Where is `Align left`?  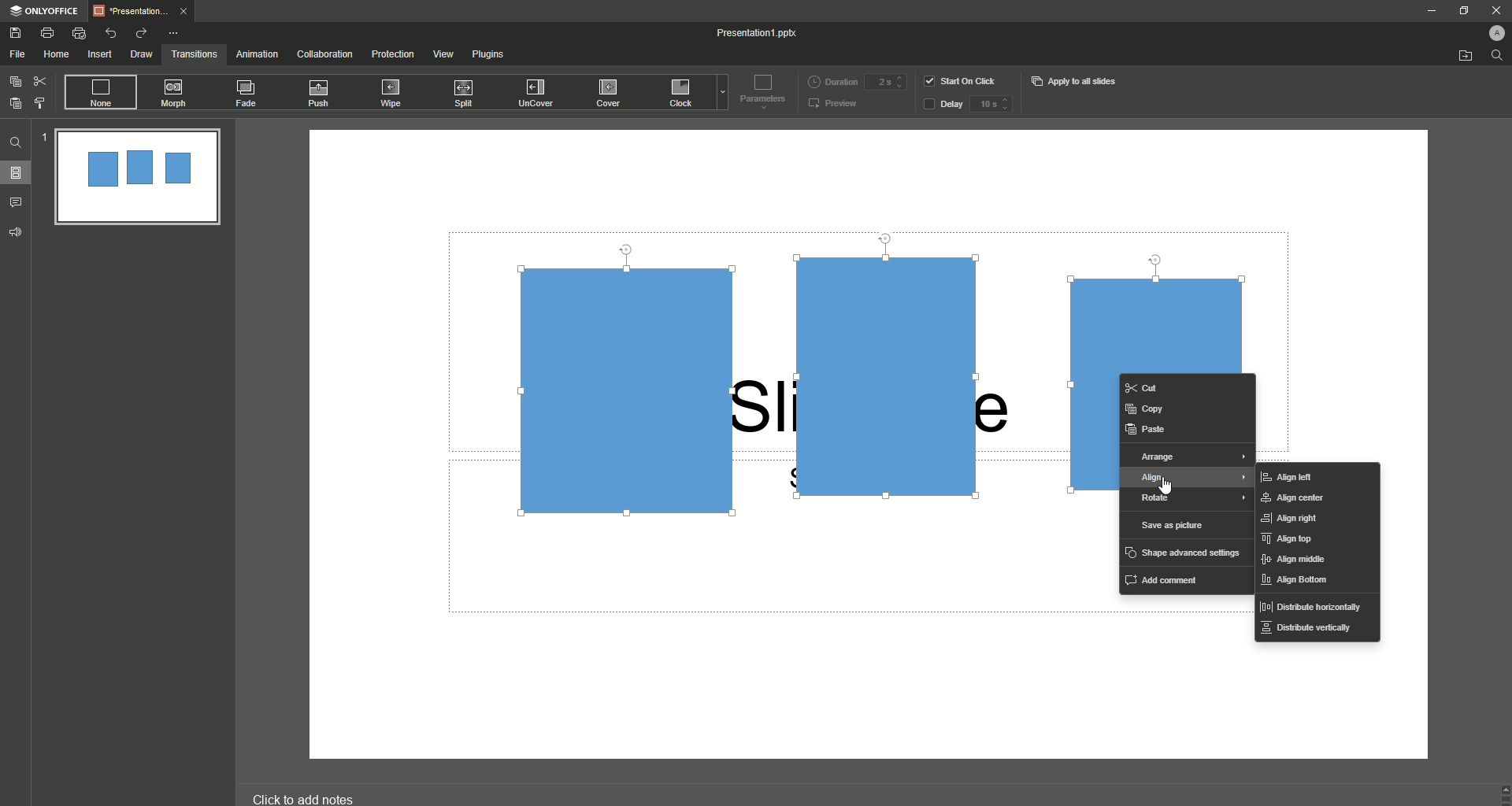
Align left is located at coordinates (1288, 477).